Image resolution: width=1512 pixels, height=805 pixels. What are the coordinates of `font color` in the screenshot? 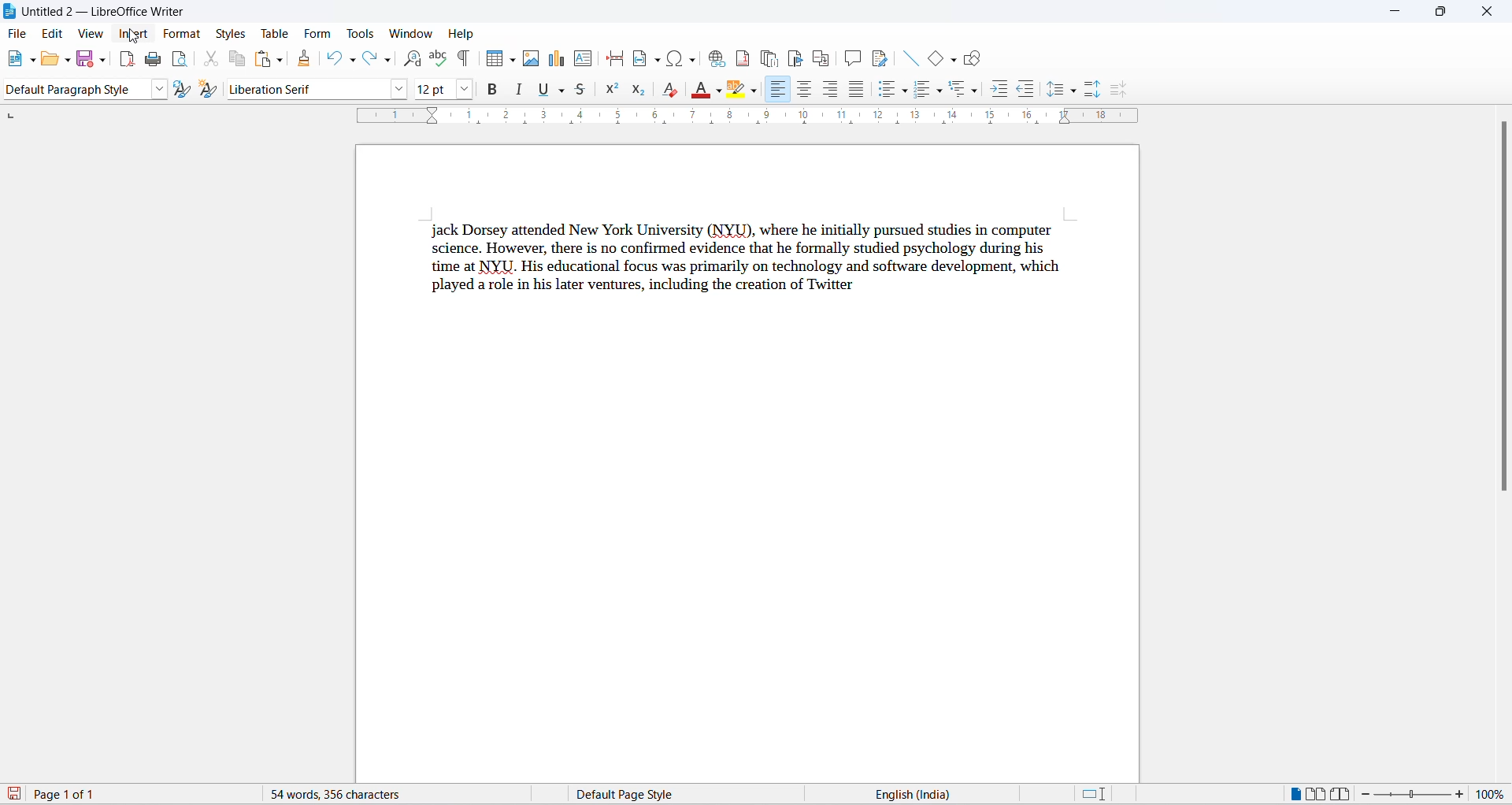 It's located at (697, 90).